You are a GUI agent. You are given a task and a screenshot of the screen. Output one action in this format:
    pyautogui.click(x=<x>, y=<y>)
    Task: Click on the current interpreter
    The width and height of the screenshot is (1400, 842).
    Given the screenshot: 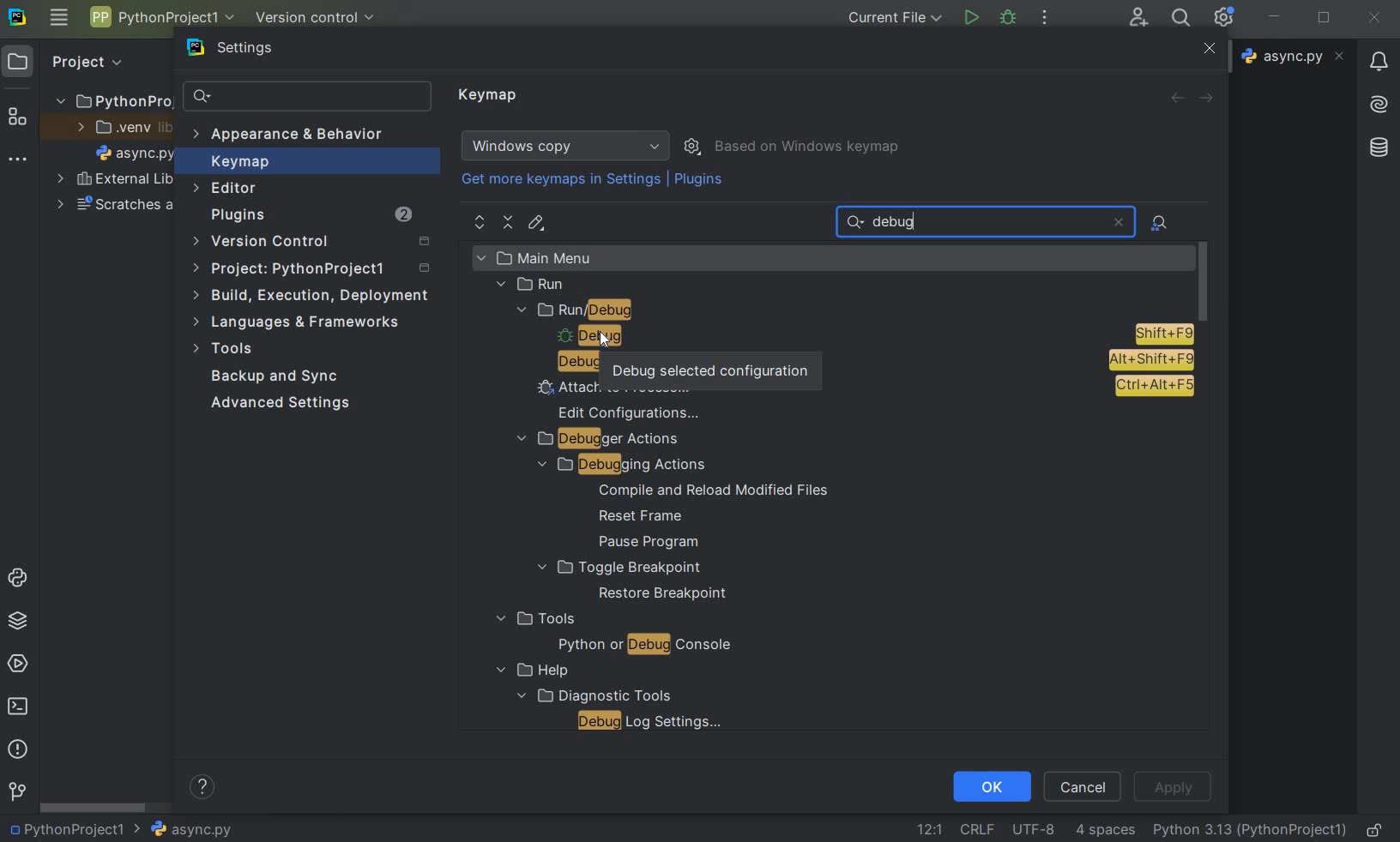 What is the action you would take?
    pyautogui.click(x=1251, y=829)
    